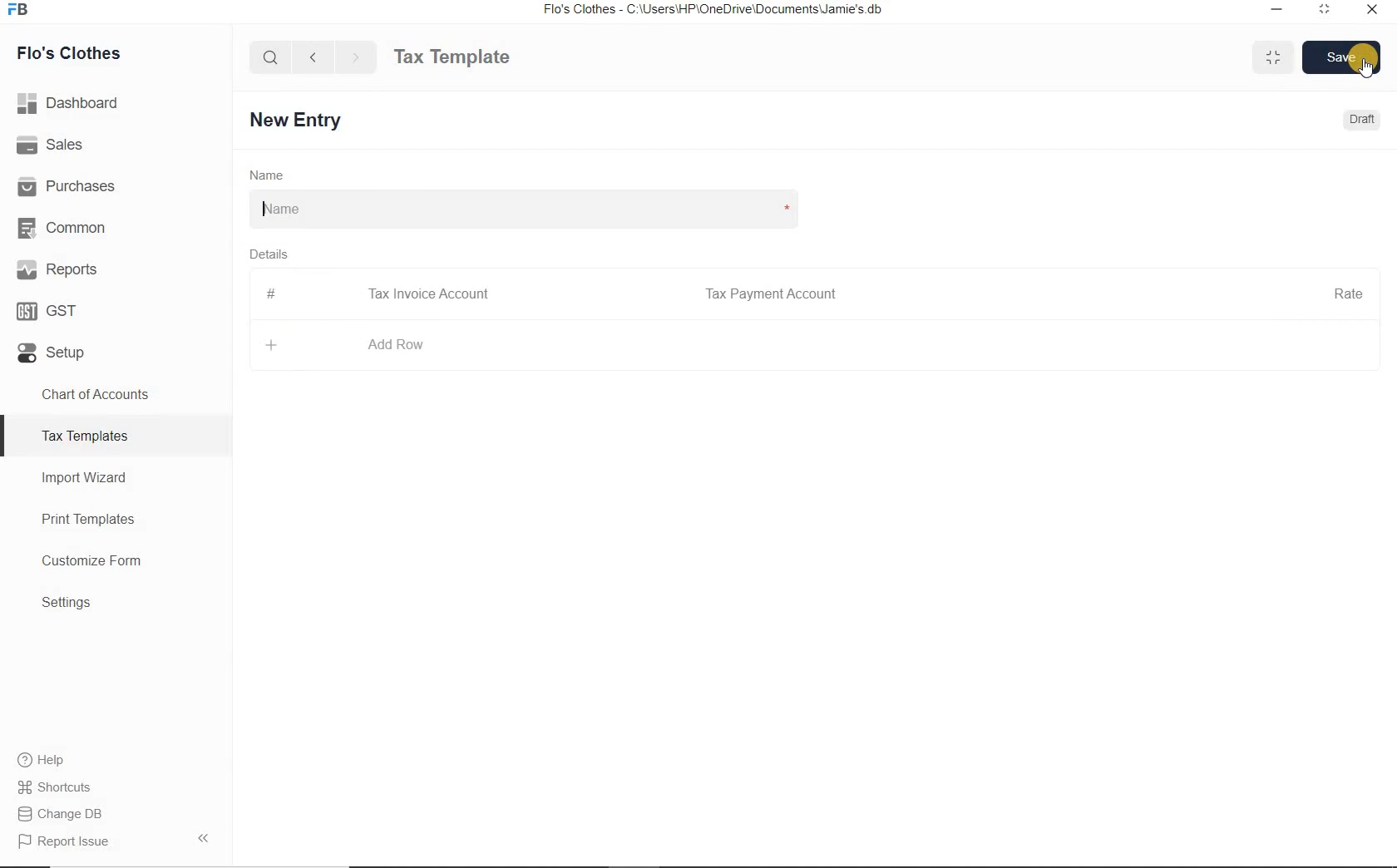  Describe the element at coordinates (452, 57) in the screenshot. I see `Tax Template` at that location.